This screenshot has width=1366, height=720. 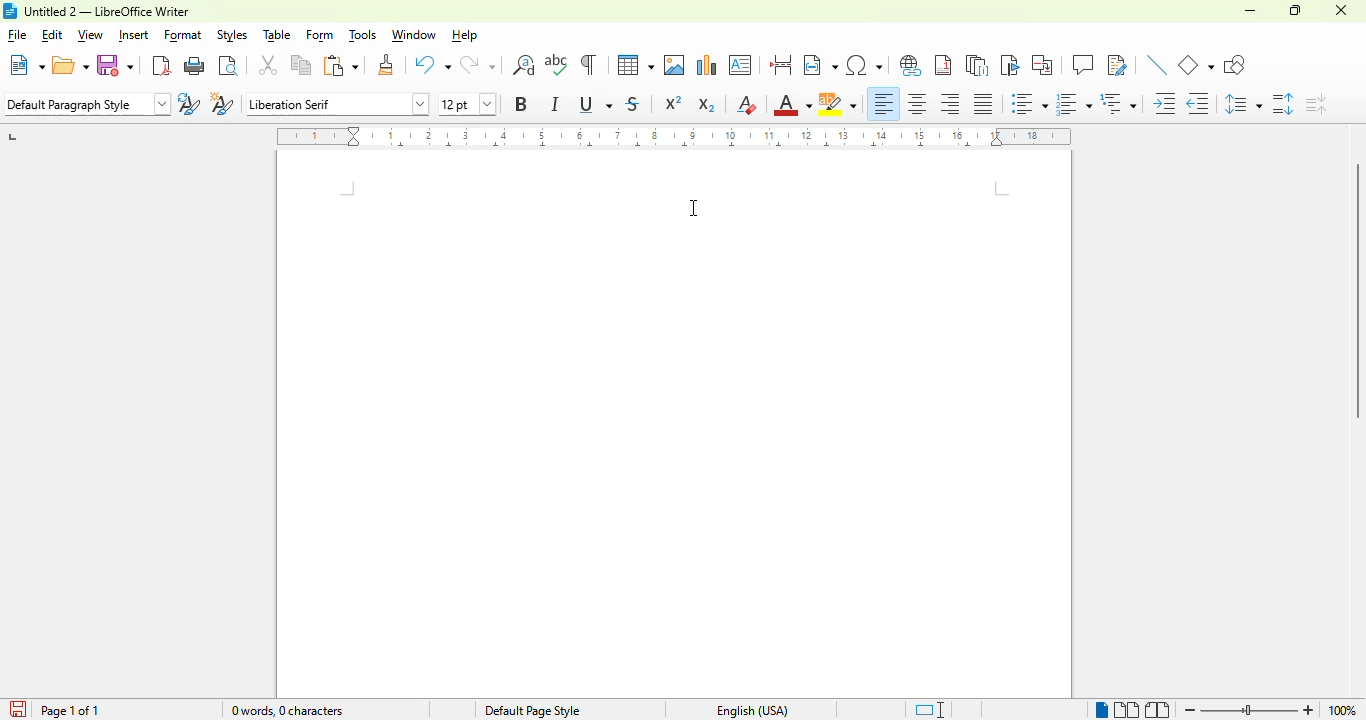 What do you see at coordinates (911, 66) in the screenshot?
I see `insert hyperlink` at bounding box center [911, 66].